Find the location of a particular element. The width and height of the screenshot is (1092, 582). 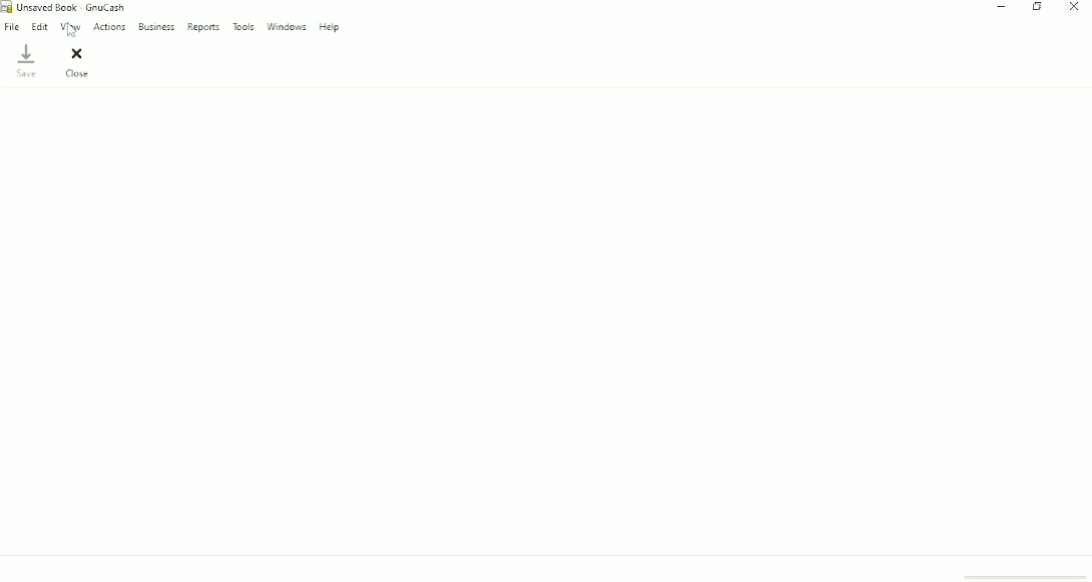

Minimize is located at coordinates (1002, 8).